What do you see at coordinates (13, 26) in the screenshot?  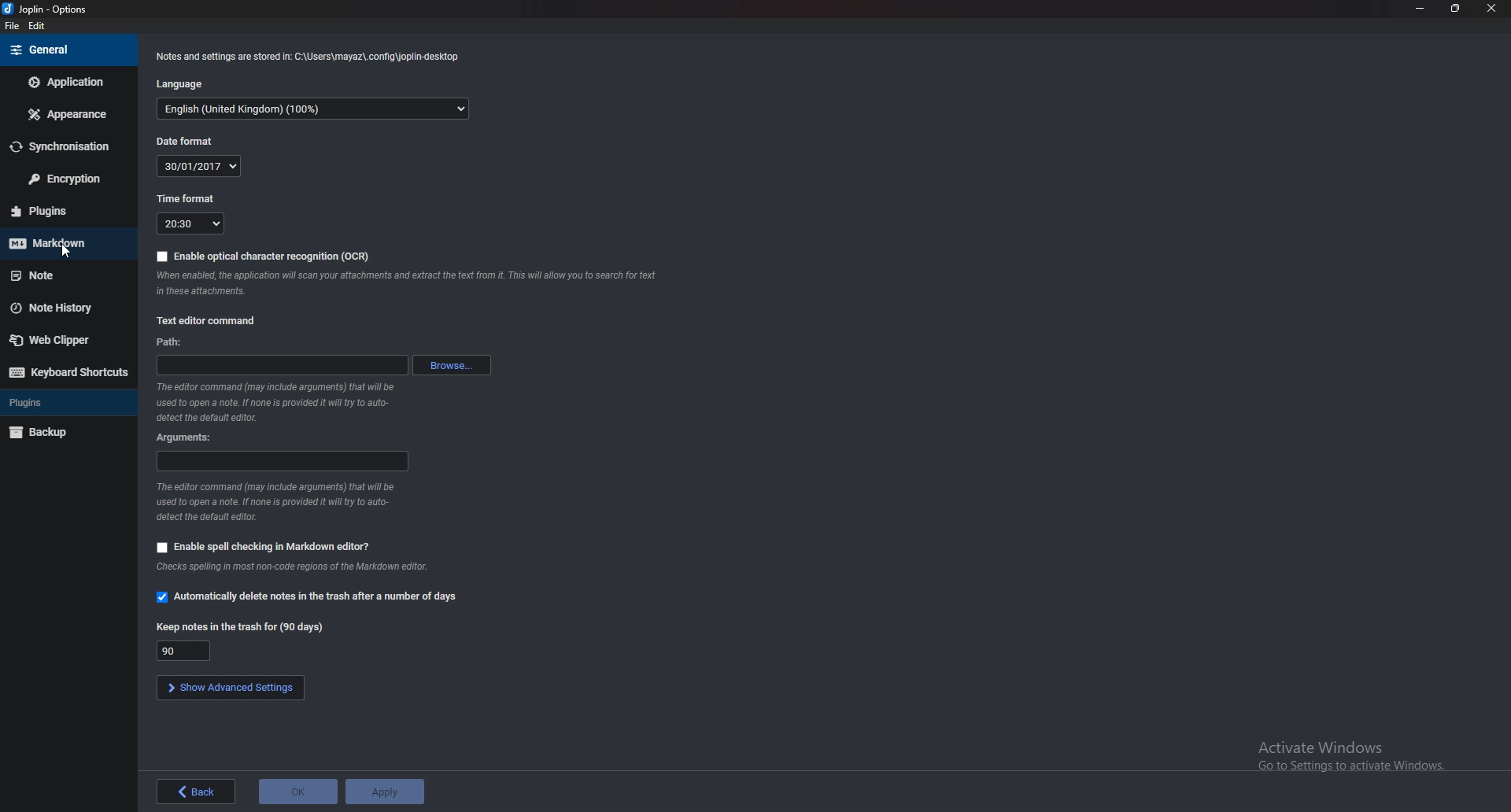 I see `file` at bounding box center [13, 26].